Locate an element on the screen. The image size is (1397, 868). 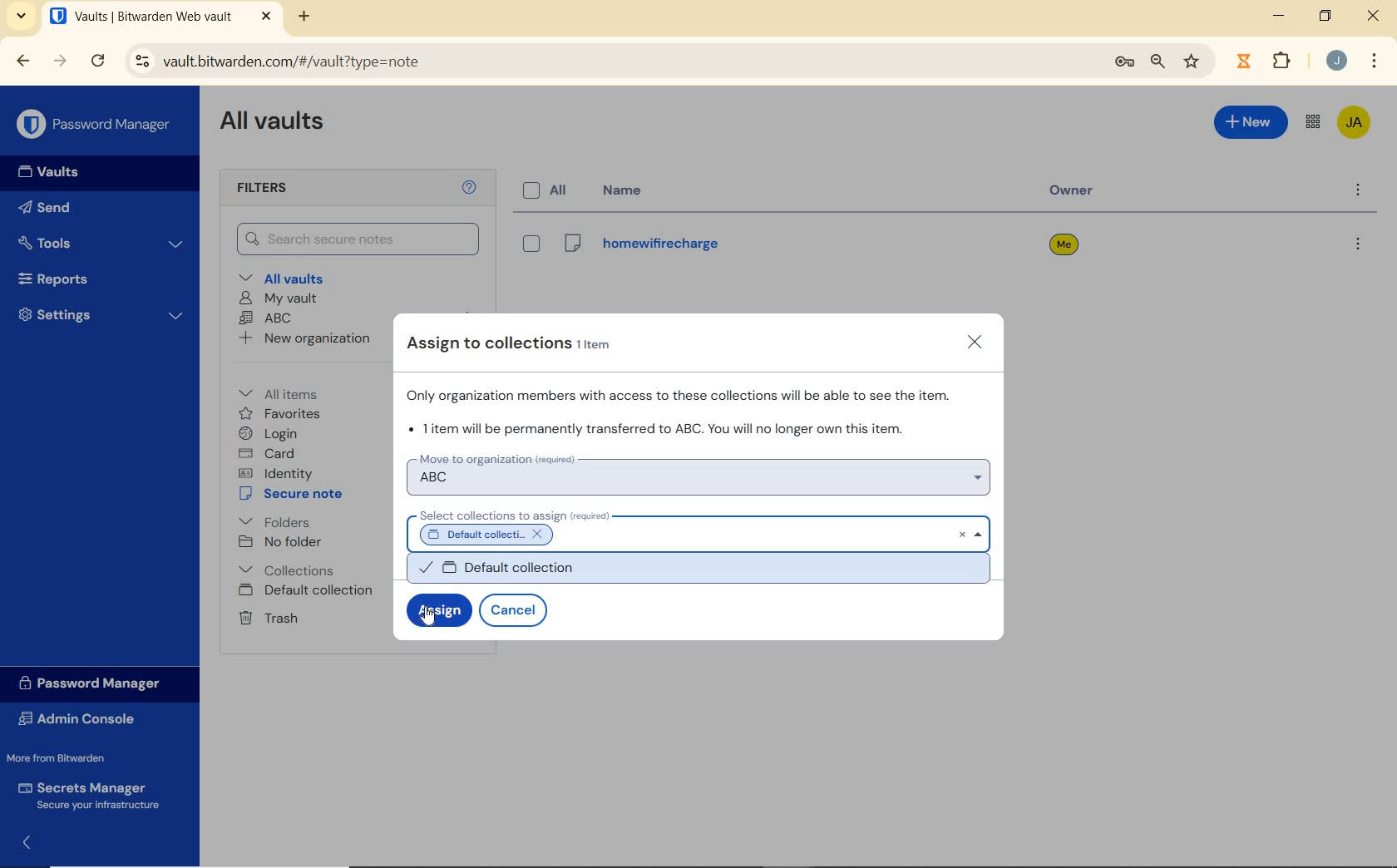
minimize is located at coordinates (1279, 15).